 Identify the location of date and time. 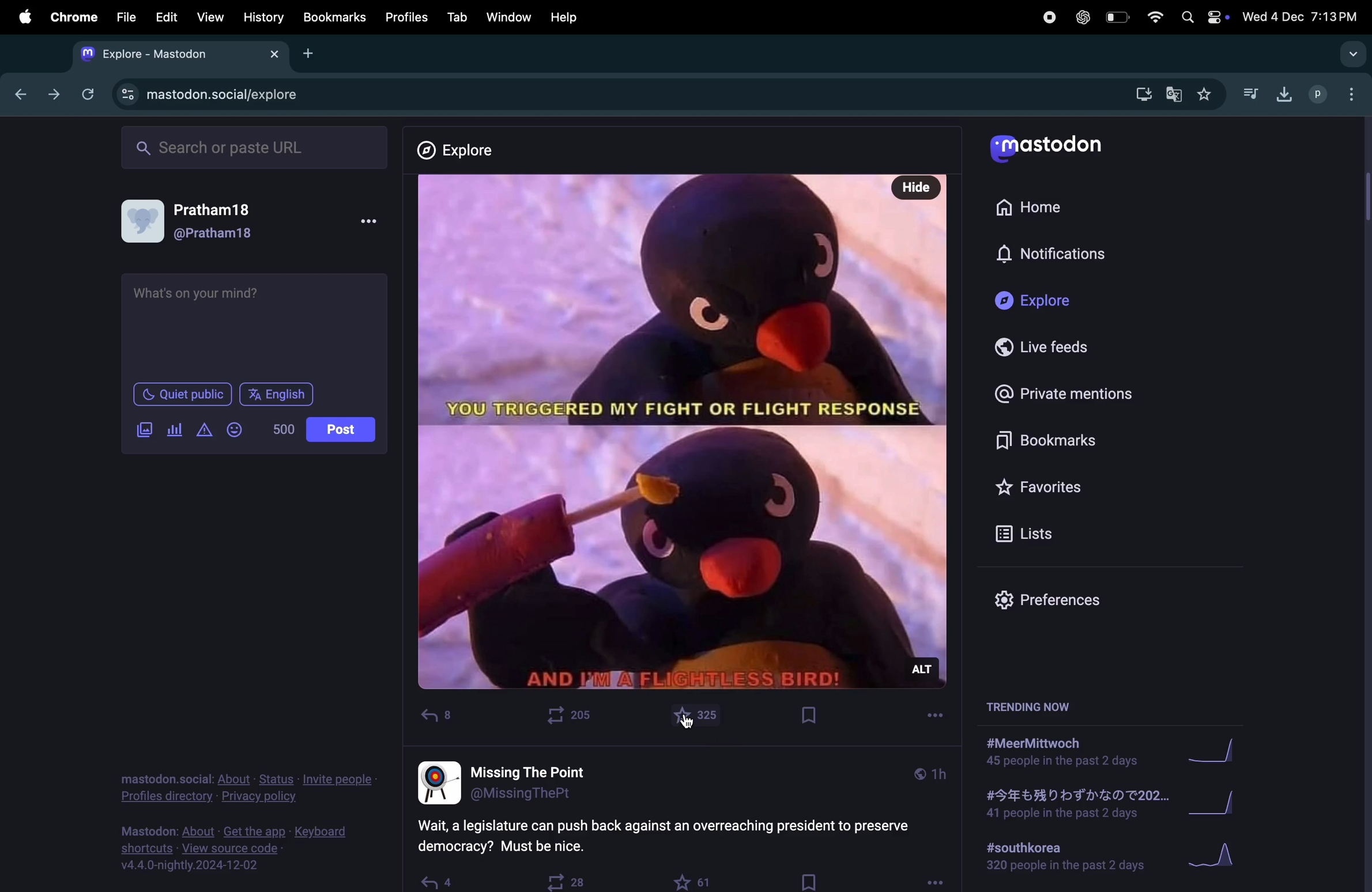
(1301, 14).